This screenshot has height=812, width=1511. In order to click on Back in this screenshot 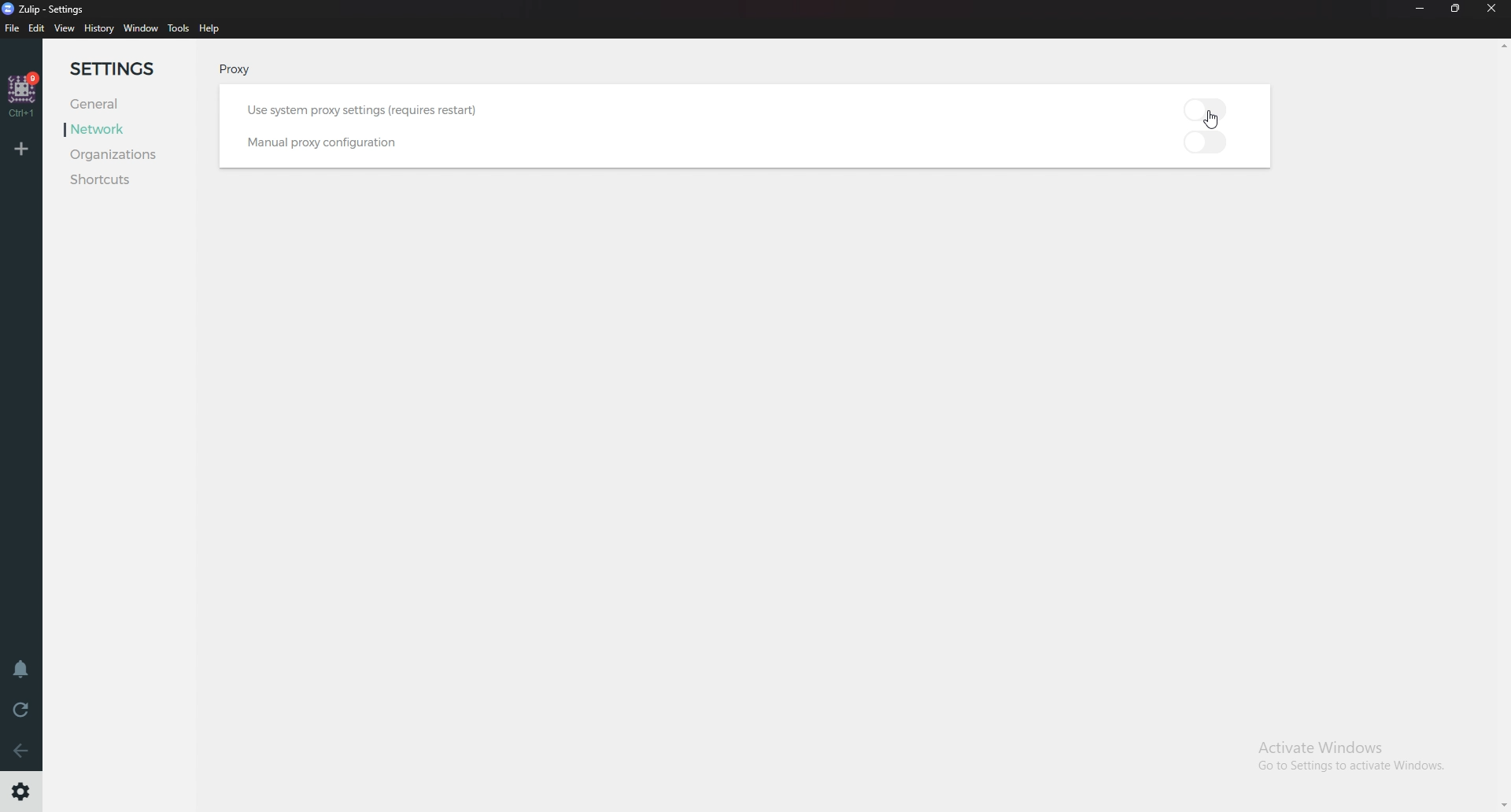, I will do `click(18, 750)`.